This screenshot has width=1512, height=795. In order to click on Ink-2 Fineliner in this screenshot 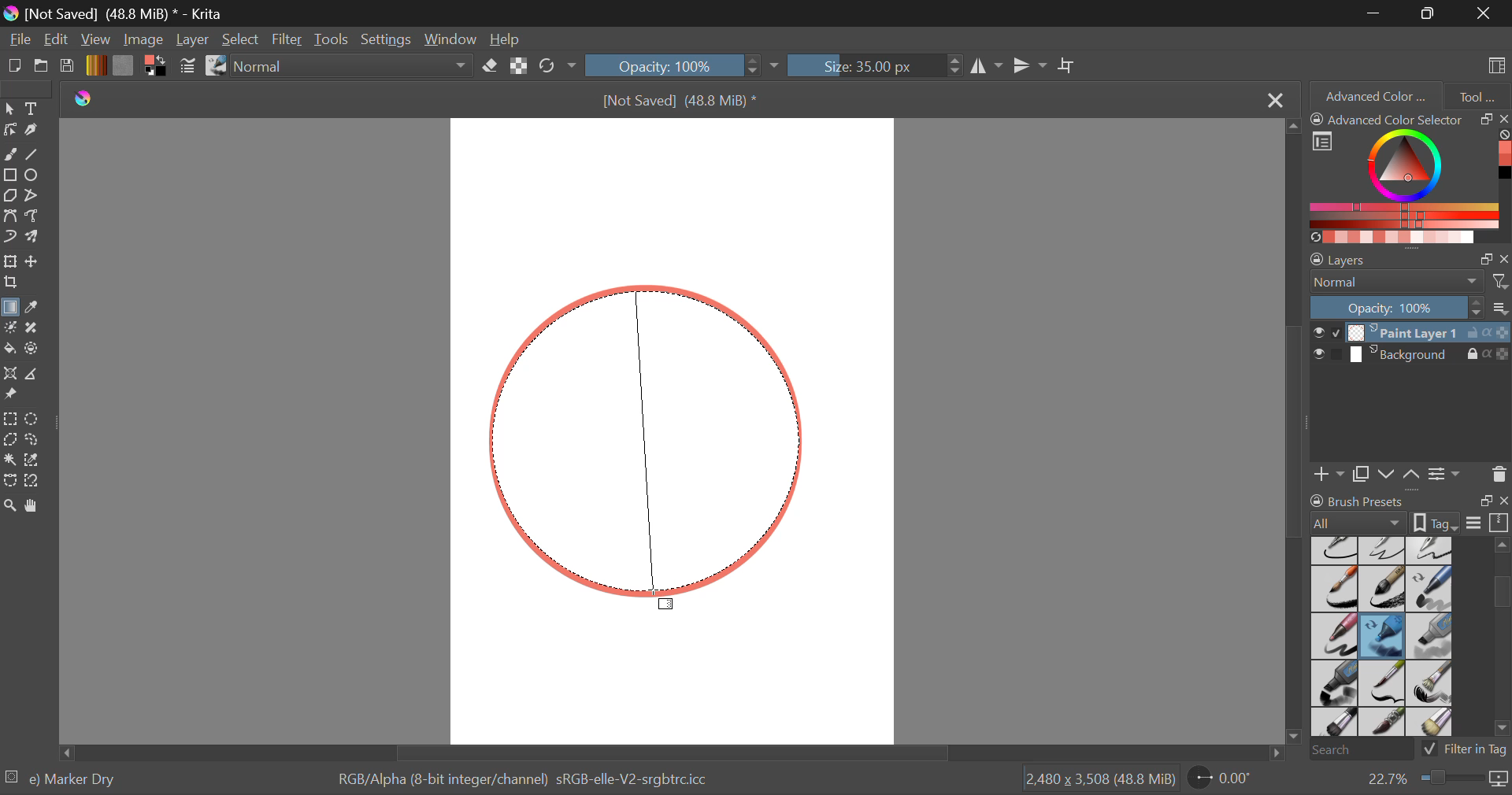, I will do `click(1336, 549)`.